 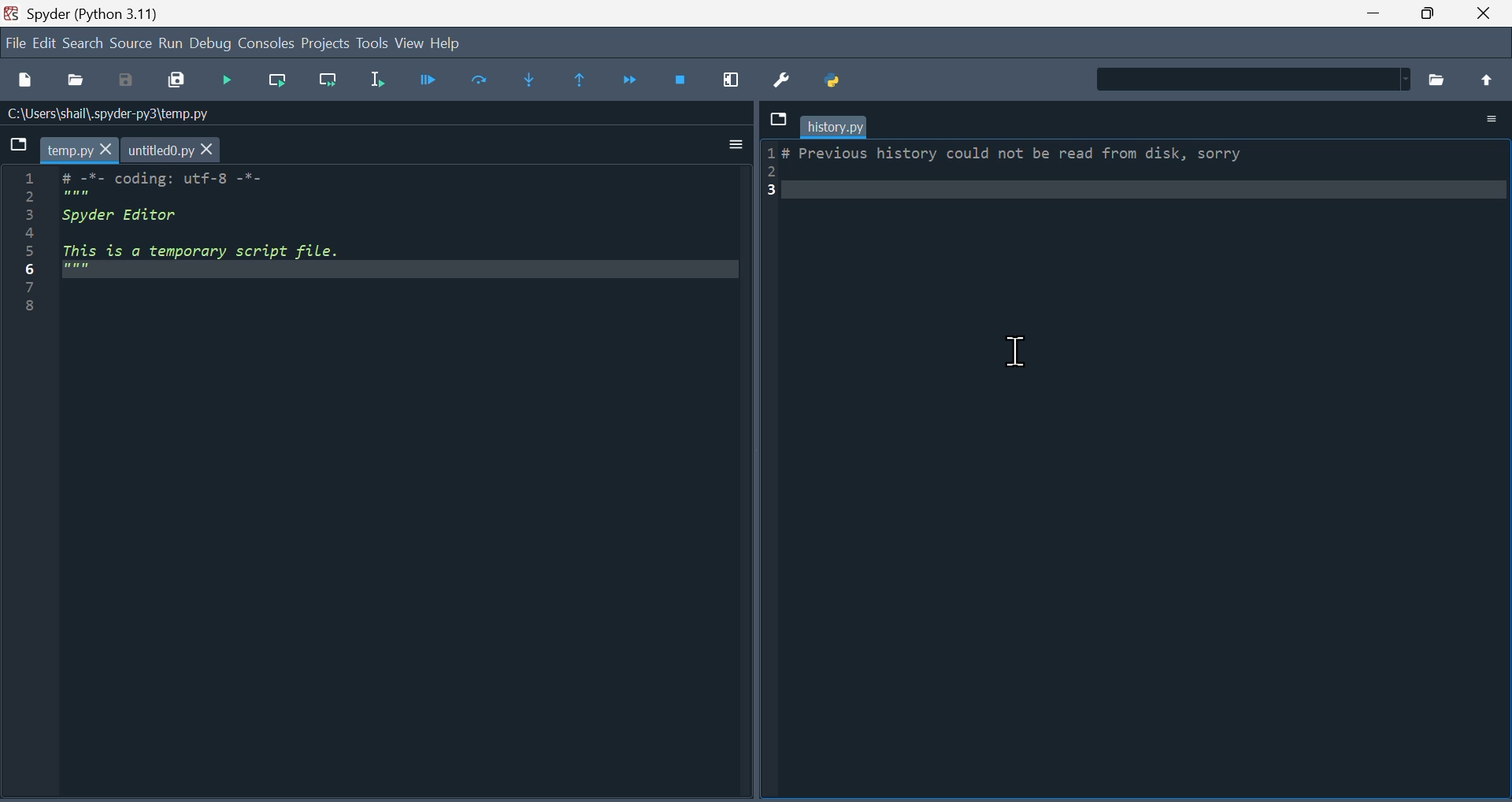 I want to click on Help, so click(x=449, y=43).